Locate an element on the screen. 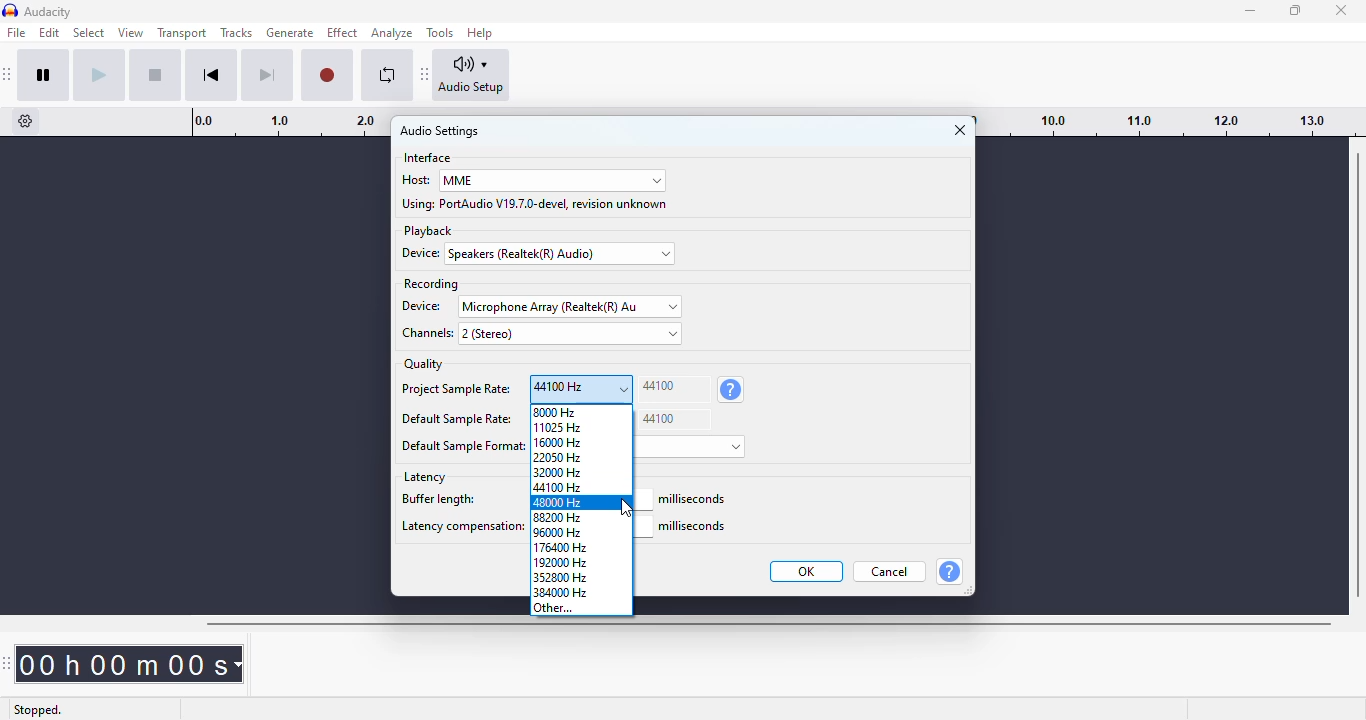 This screenshot has height=720, width=1366. 800 Hz is located at coordinates (581, 411).